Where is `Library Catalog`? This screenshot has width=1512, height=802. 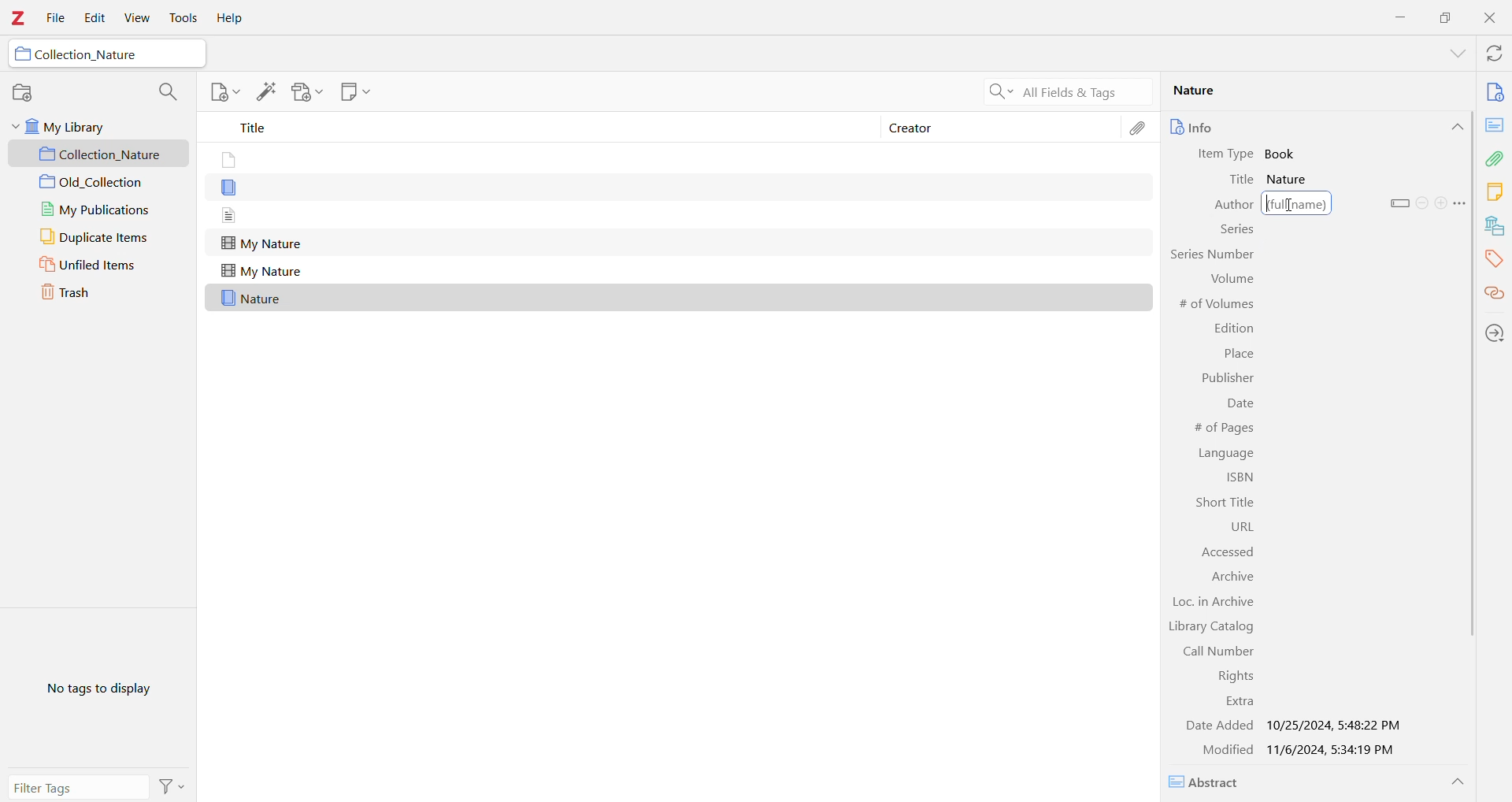
Library Catalog is located at coordinates (1210, 628).